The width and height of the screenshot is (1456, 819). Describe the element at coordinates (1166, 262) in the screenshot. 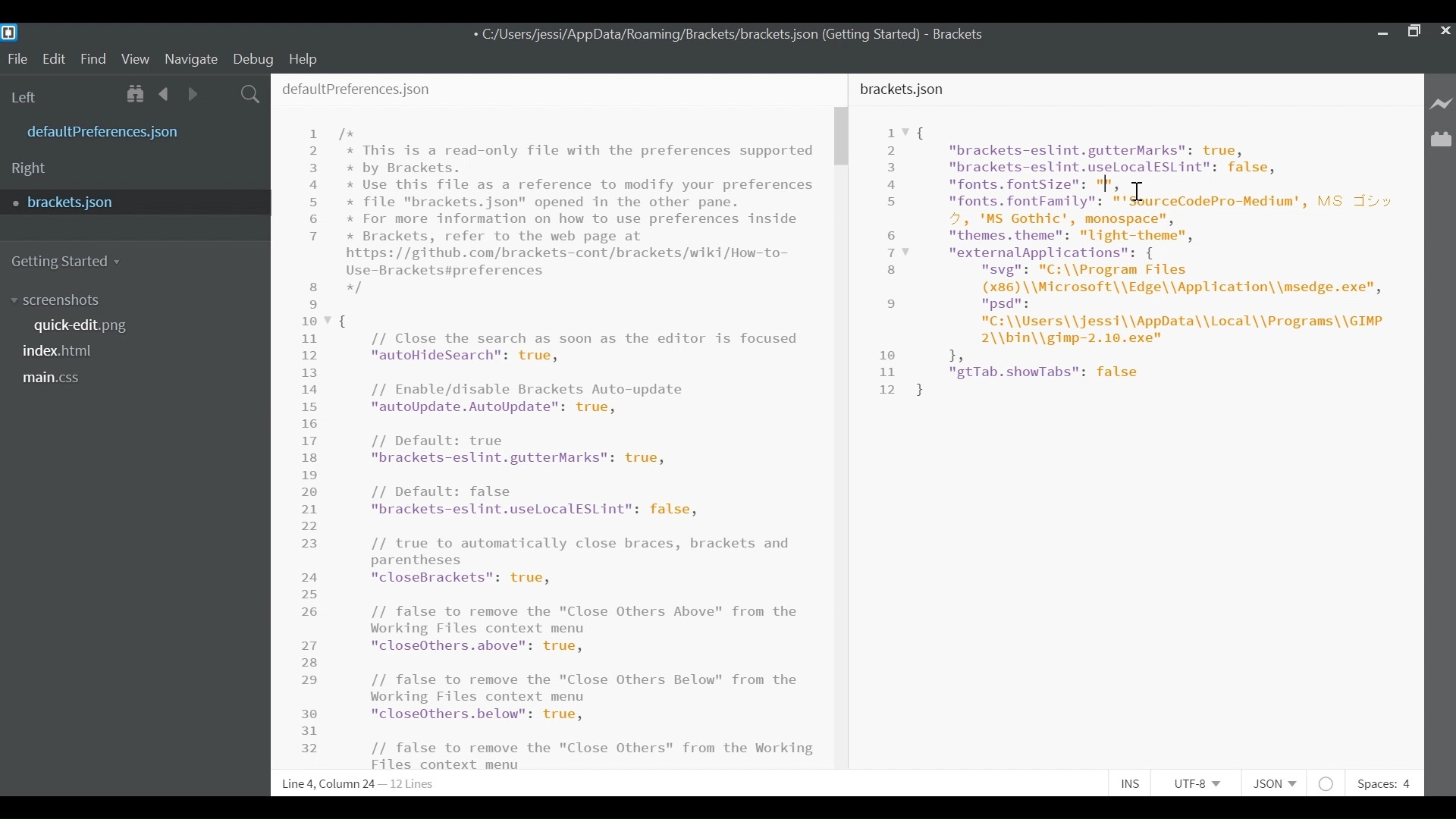

I see `Code Editor for Bracket software overview.` at that location.